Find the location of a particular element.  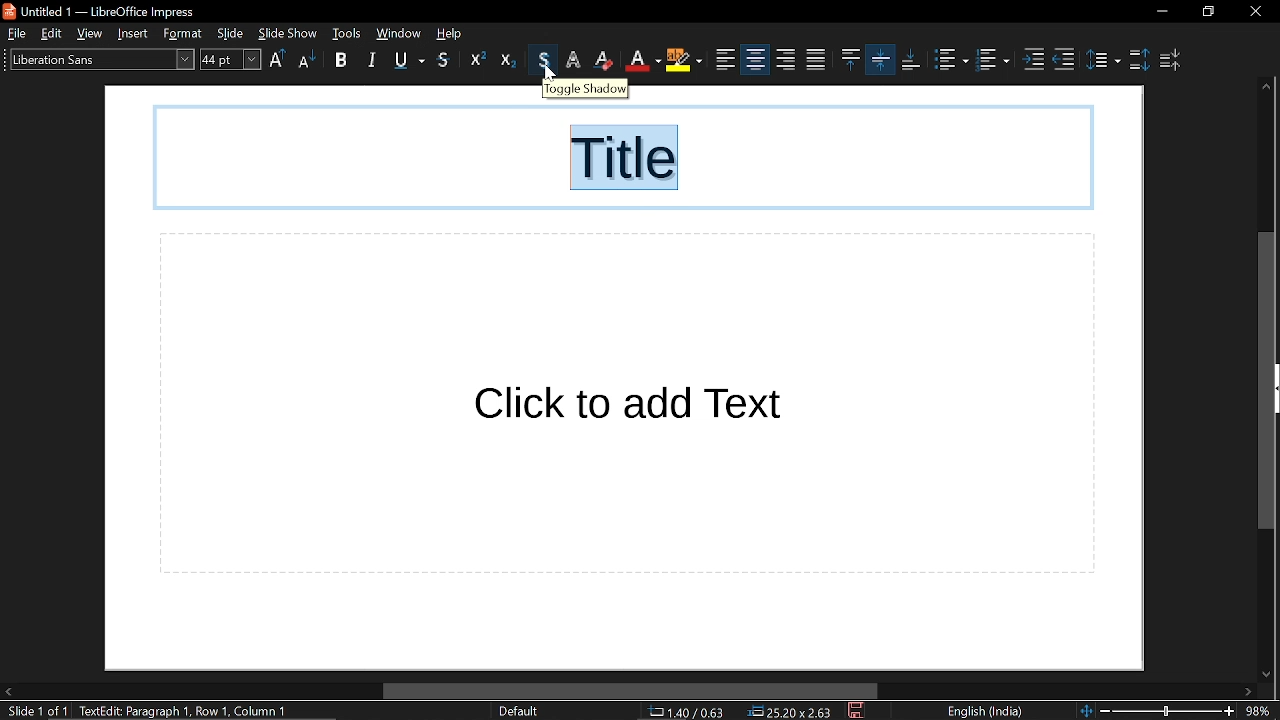

toggle shadow is located at coordinates (587, 88).